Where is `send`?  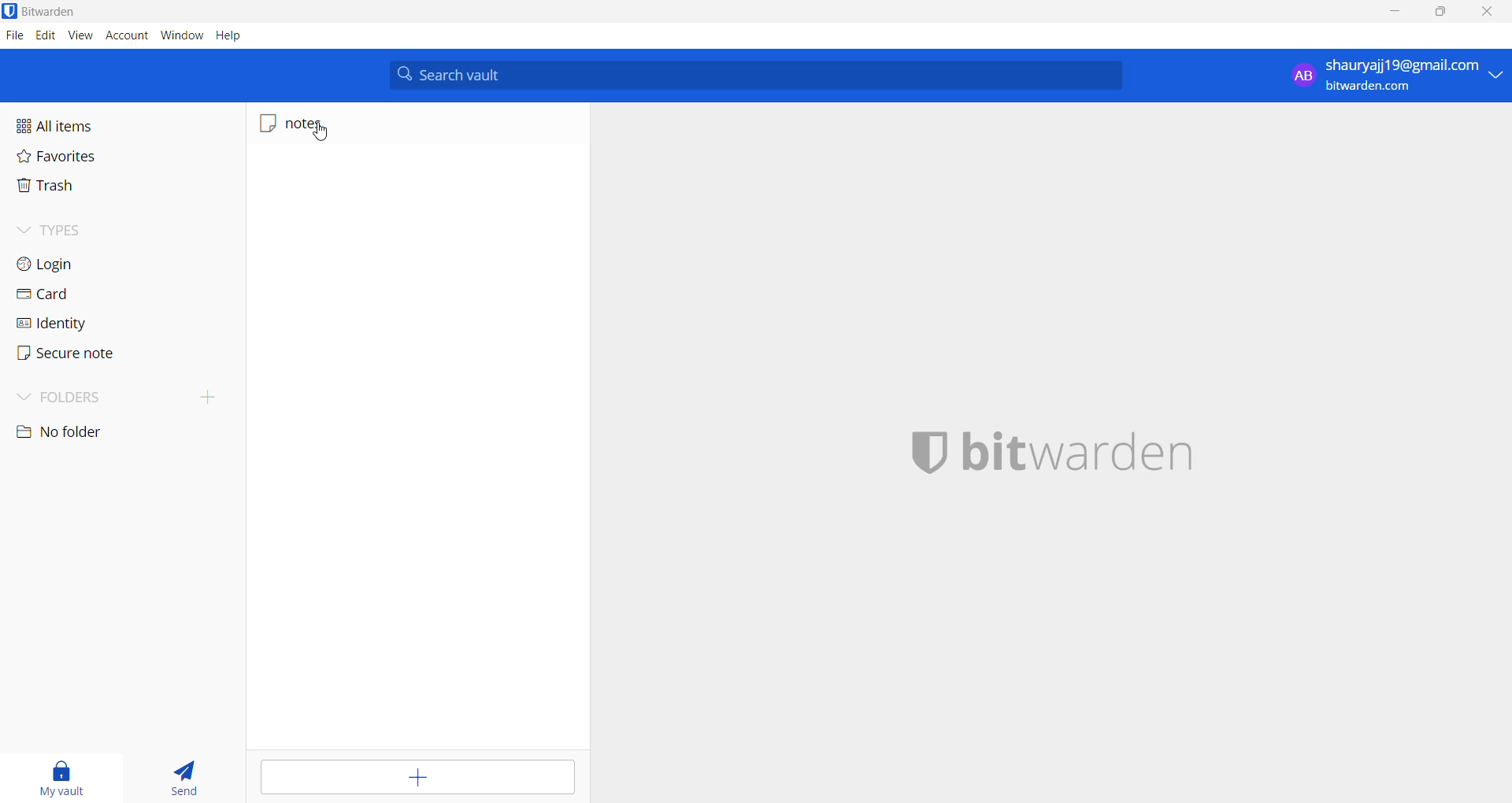
send is located at coordinates (179, 777).